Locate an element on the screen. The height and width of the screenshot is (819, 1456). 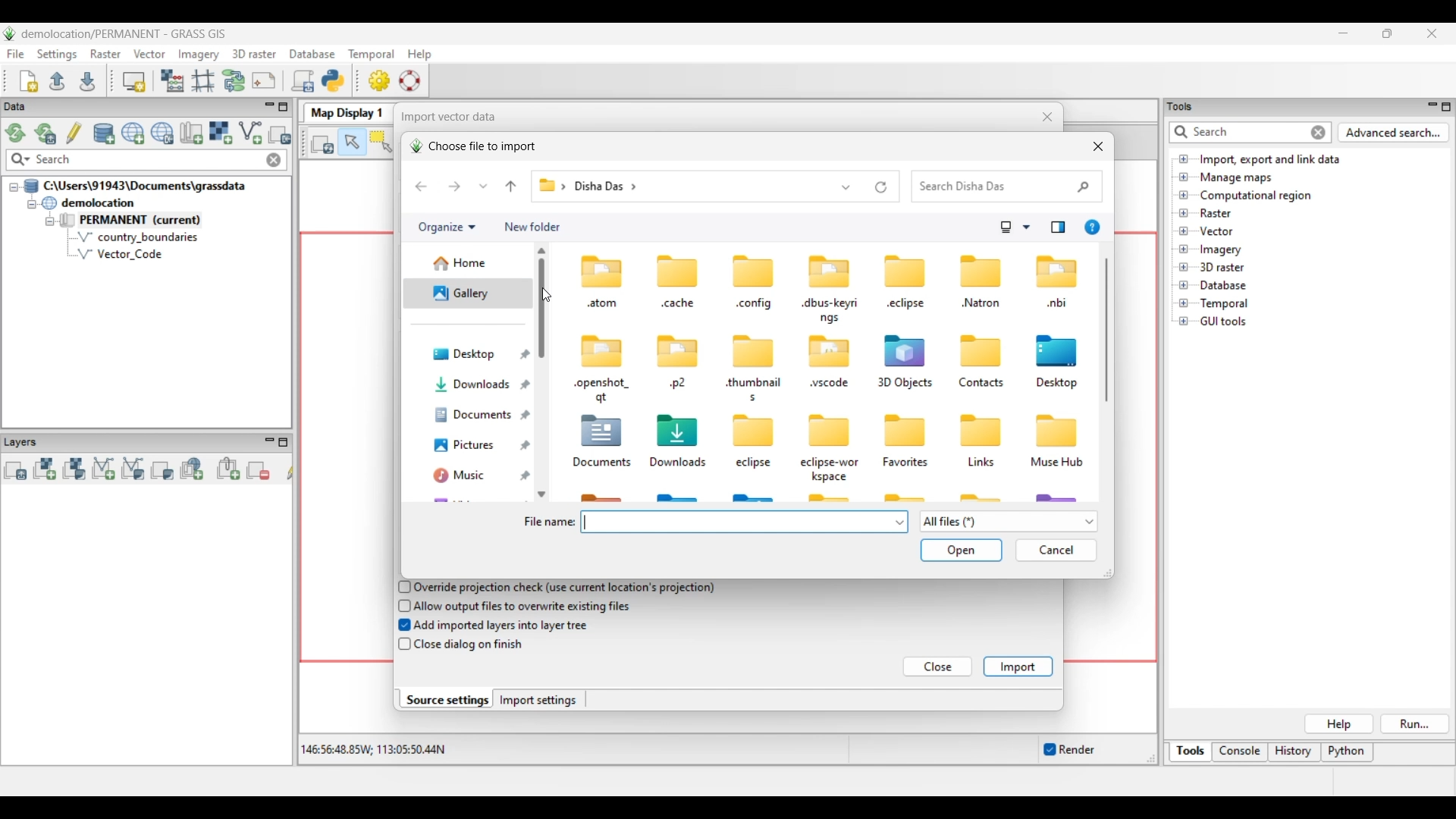
Click to open files under Vector is located at coordinates (1184, 231).